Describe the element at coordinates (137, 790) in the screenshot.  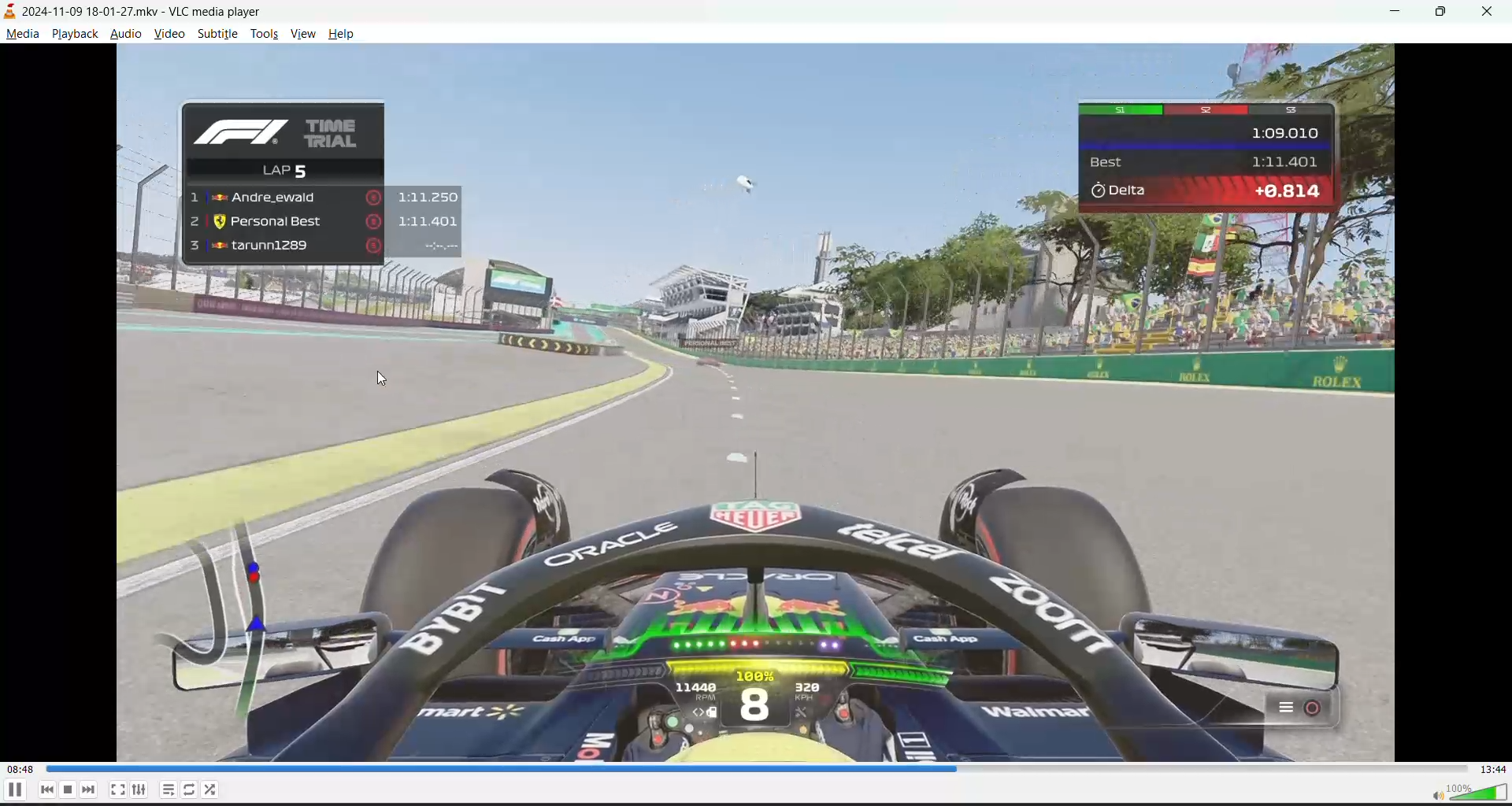
I see `settings` at that location.